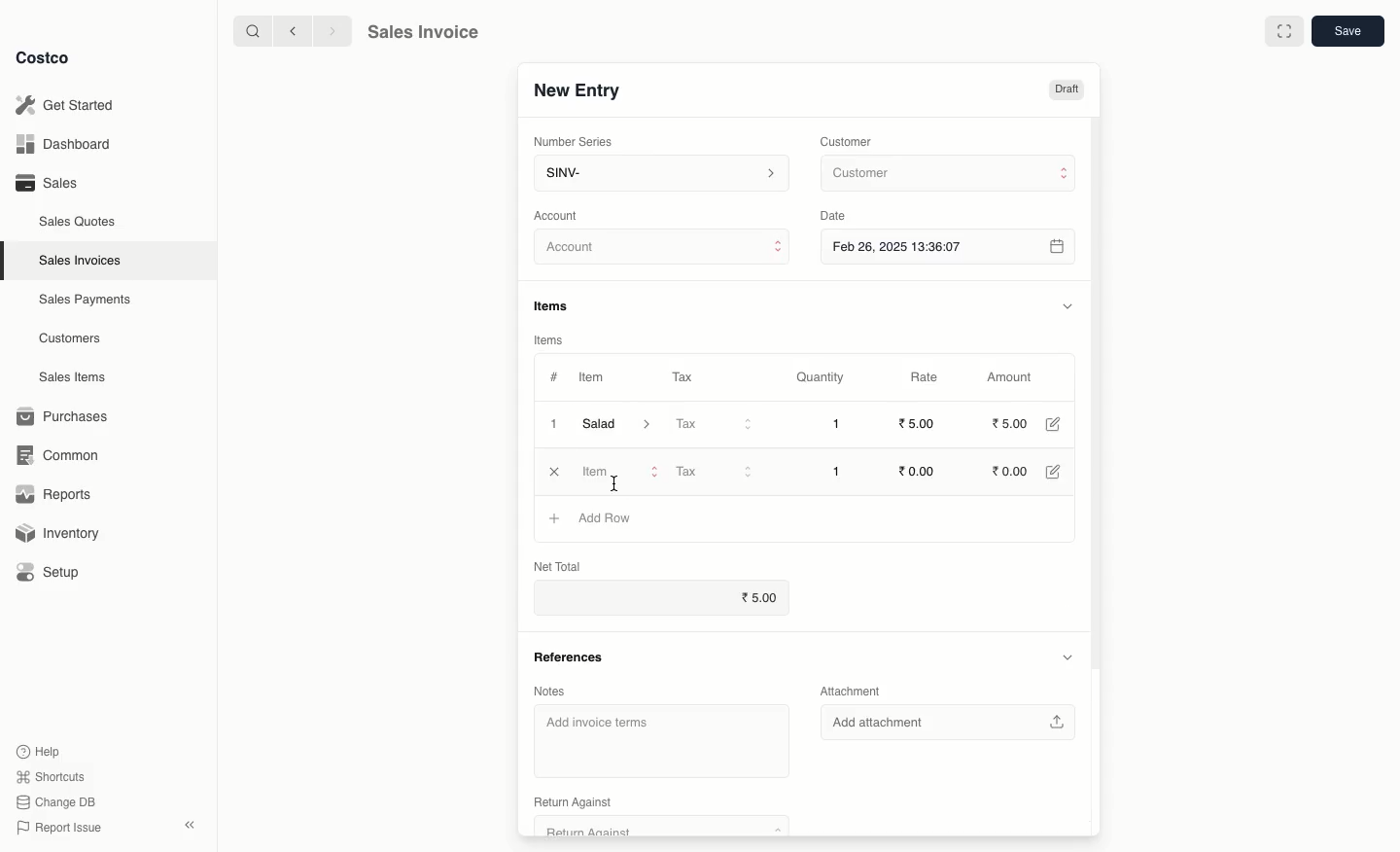 The image size is (1400, 852). I want to click on Sales Payments., so click(87, 302).